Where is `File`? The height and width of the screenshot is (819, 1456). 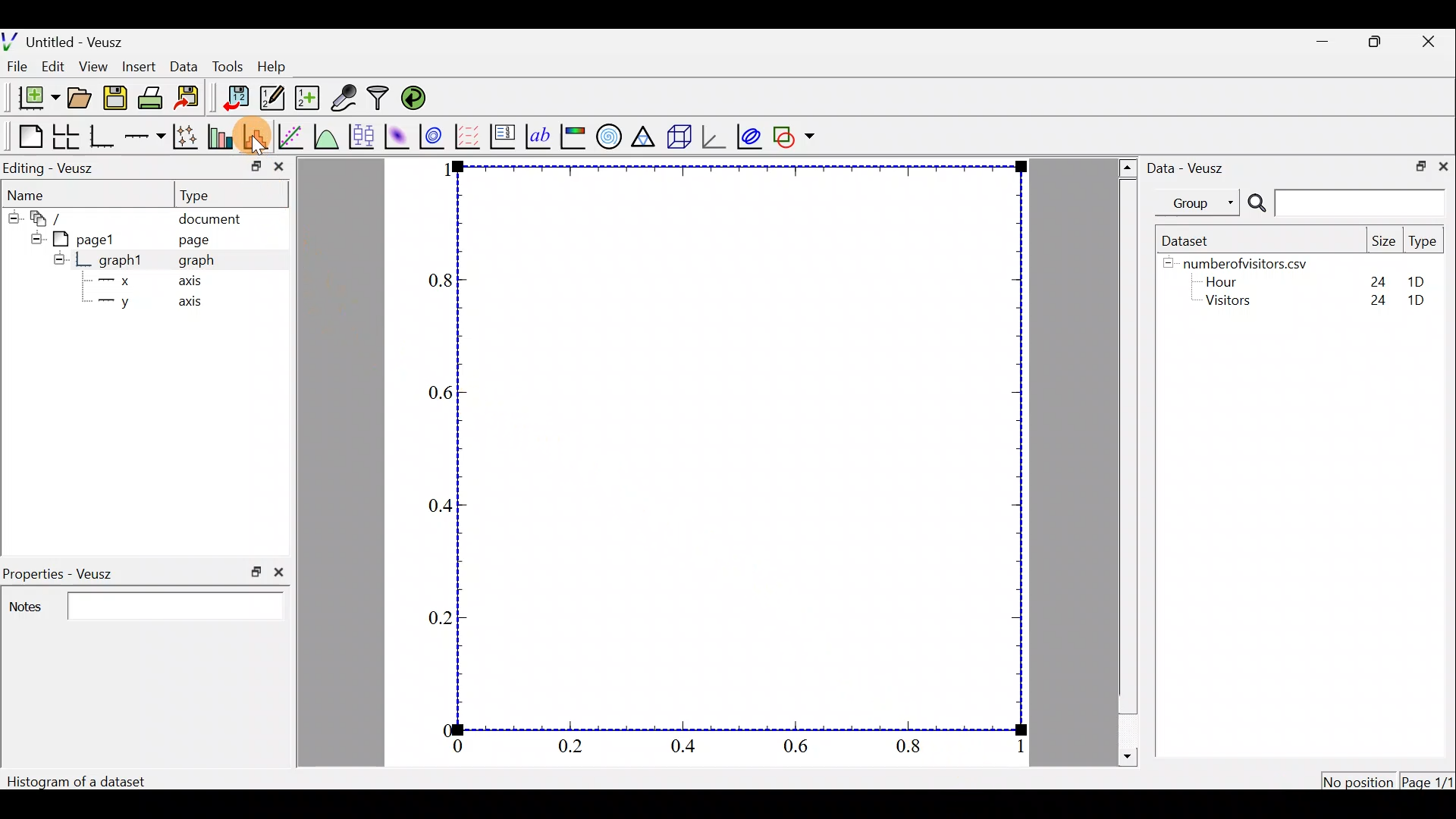
File is located at coordinates (17, 67).